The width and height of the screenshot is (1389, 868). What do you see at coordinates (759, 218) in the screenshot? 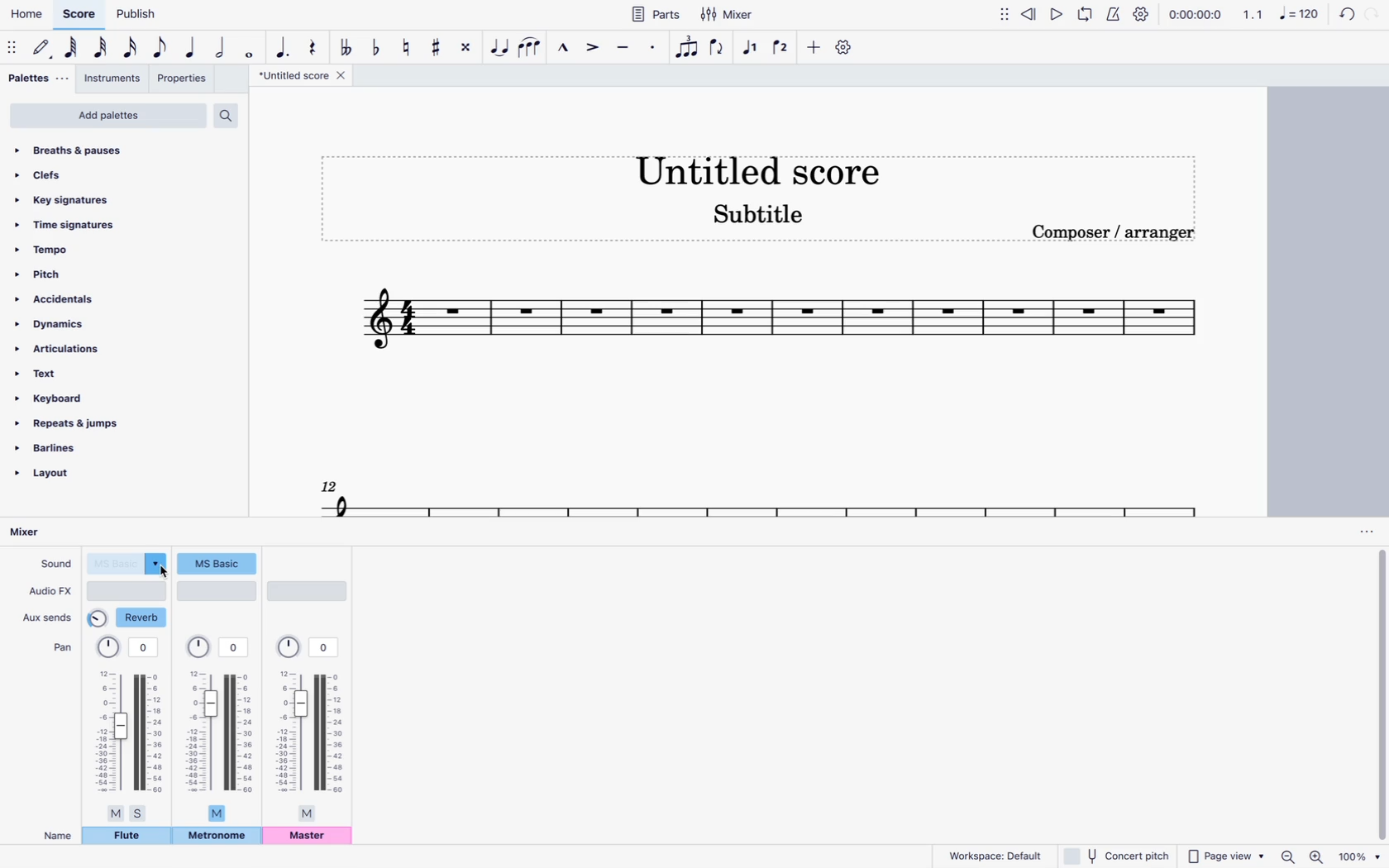
I see `score subtitle` at bounding box center [759, 218].